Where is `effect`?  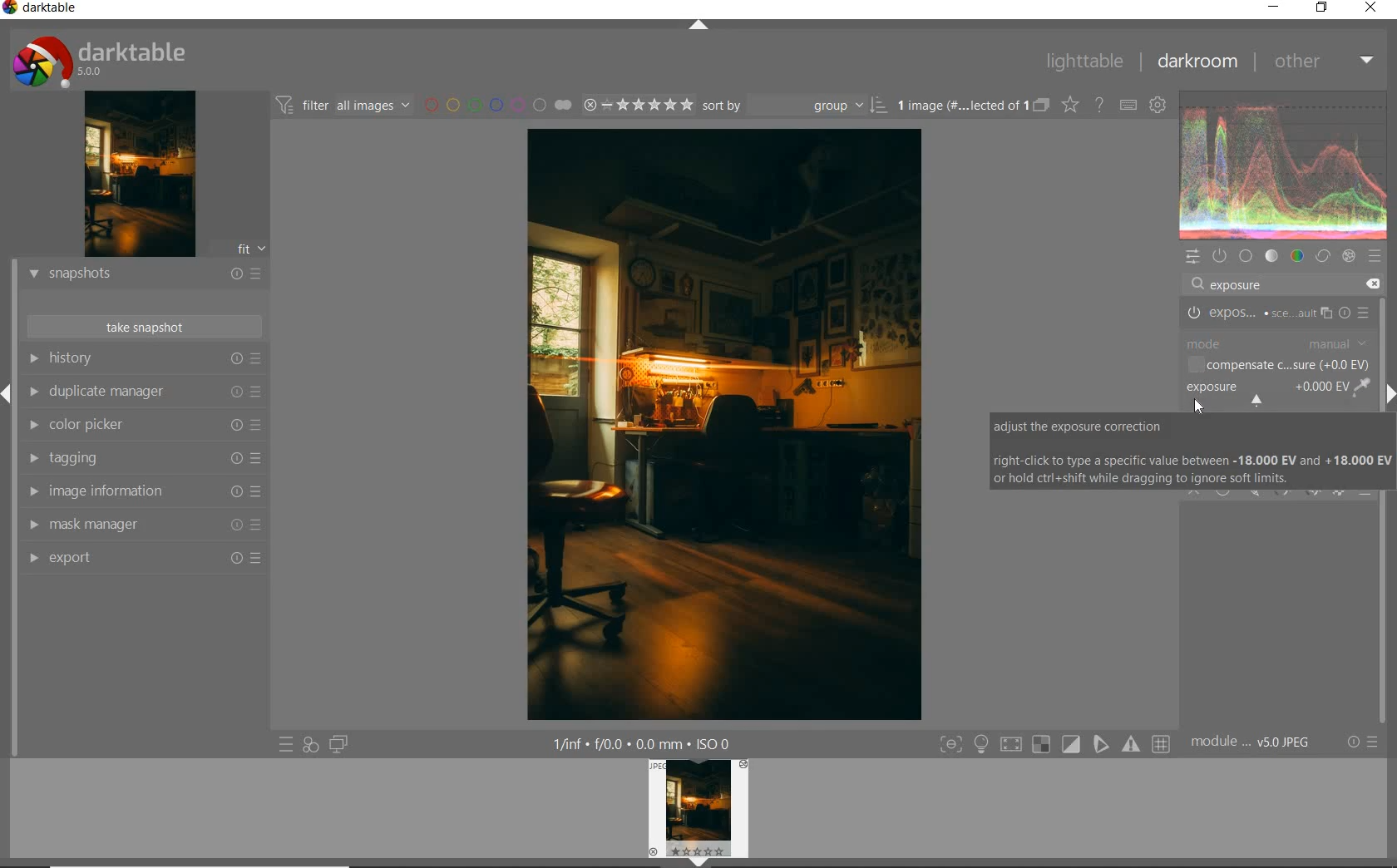 effect is located at coordinates (1349, 255).